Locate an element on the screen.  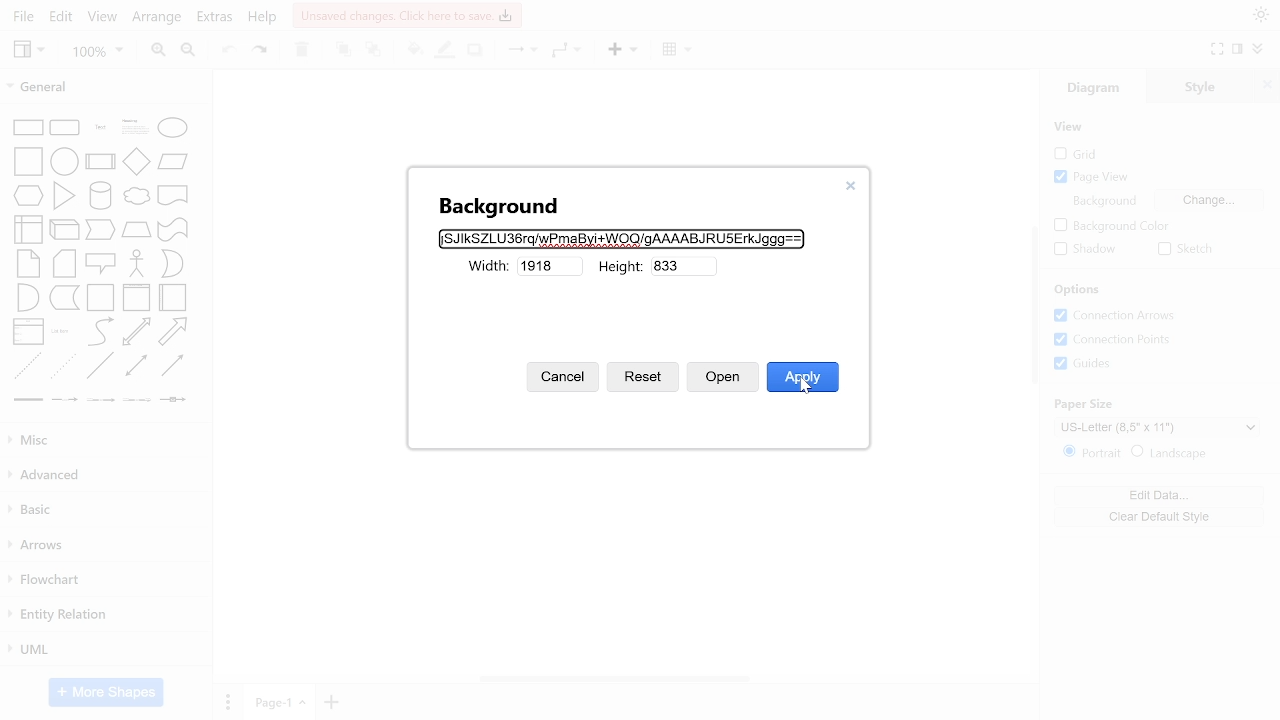
to back is located at coordinates (374, 51).